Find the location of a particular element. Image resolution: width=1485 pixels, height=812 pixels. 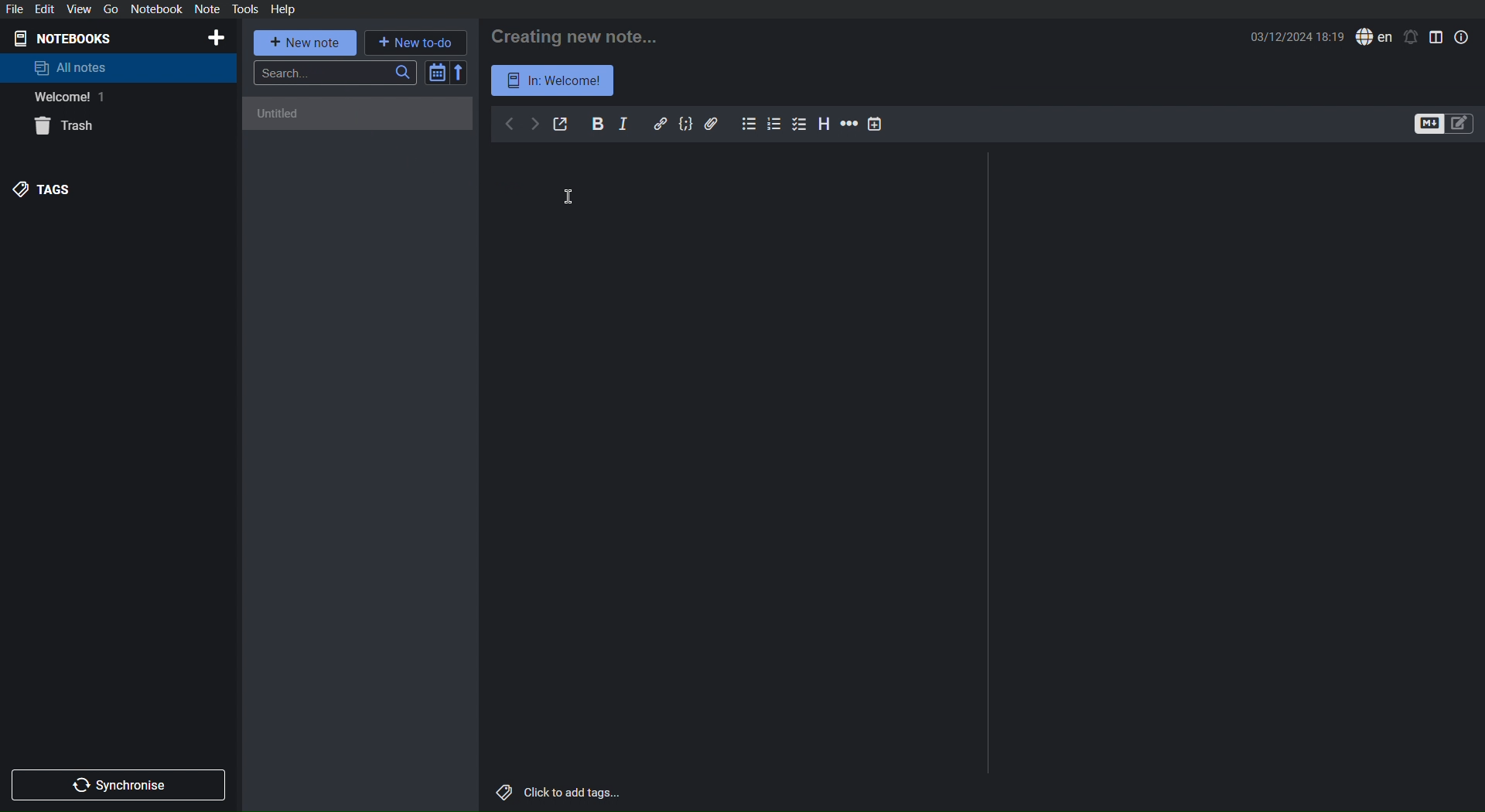

In: Welcome! is located at coordinates (554, 80).